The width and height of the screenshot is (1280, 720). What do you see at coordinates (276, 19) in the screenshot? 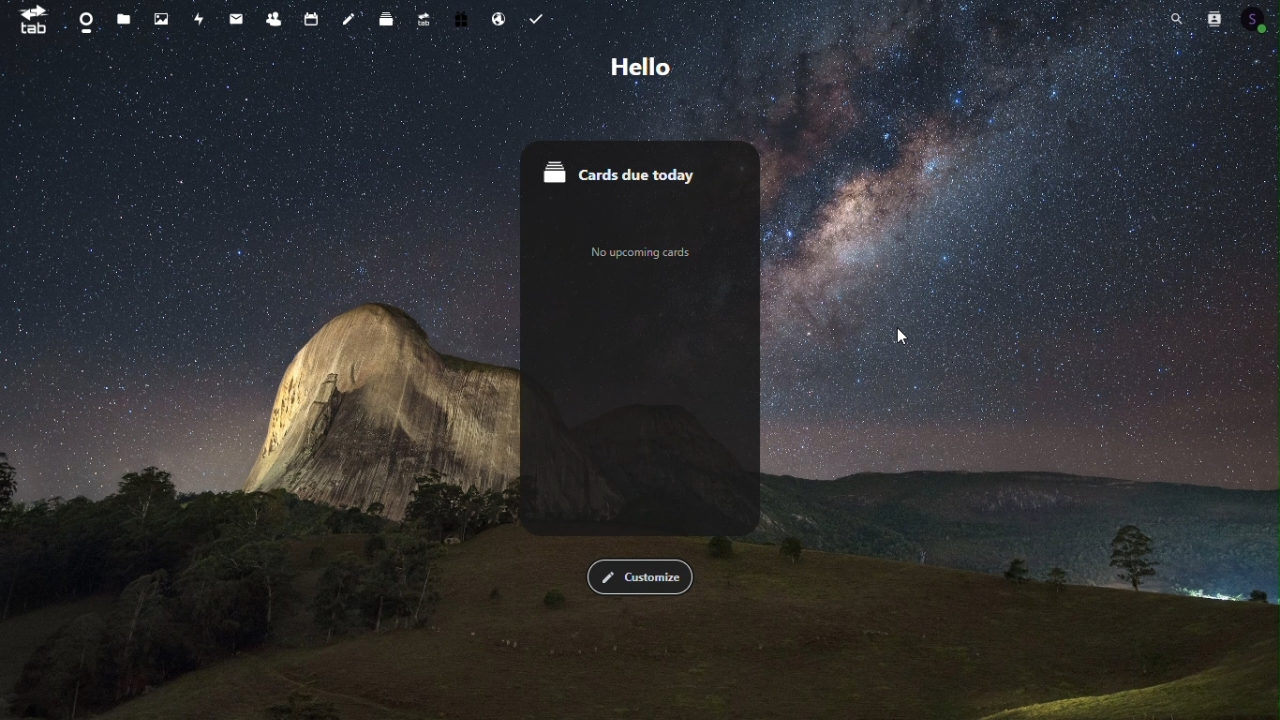
I see `Contacts` at bounding box center [276, 19].